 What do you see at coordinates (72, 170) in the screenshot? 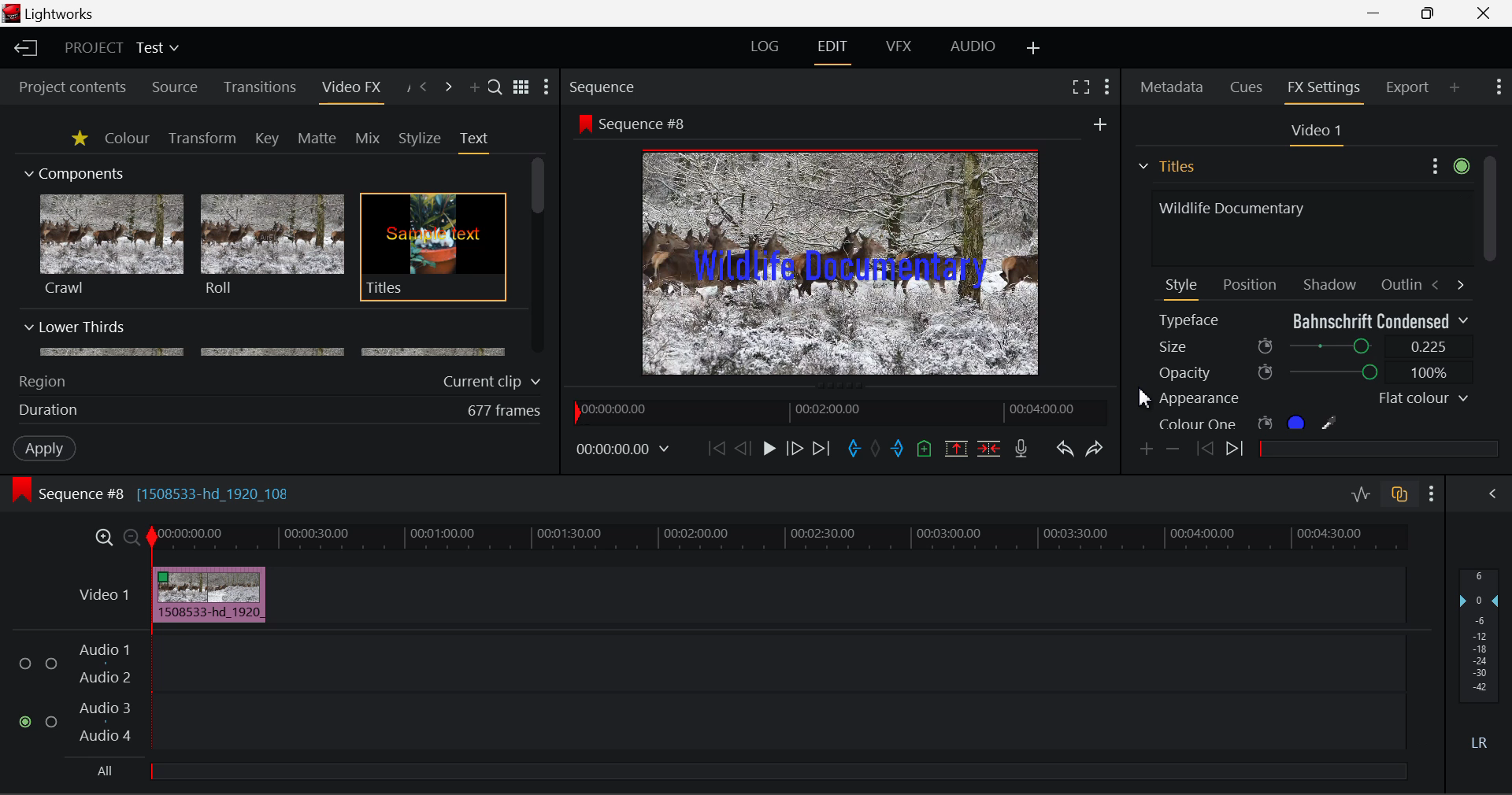
I see `Components Section` at bounding box center [72, 170].